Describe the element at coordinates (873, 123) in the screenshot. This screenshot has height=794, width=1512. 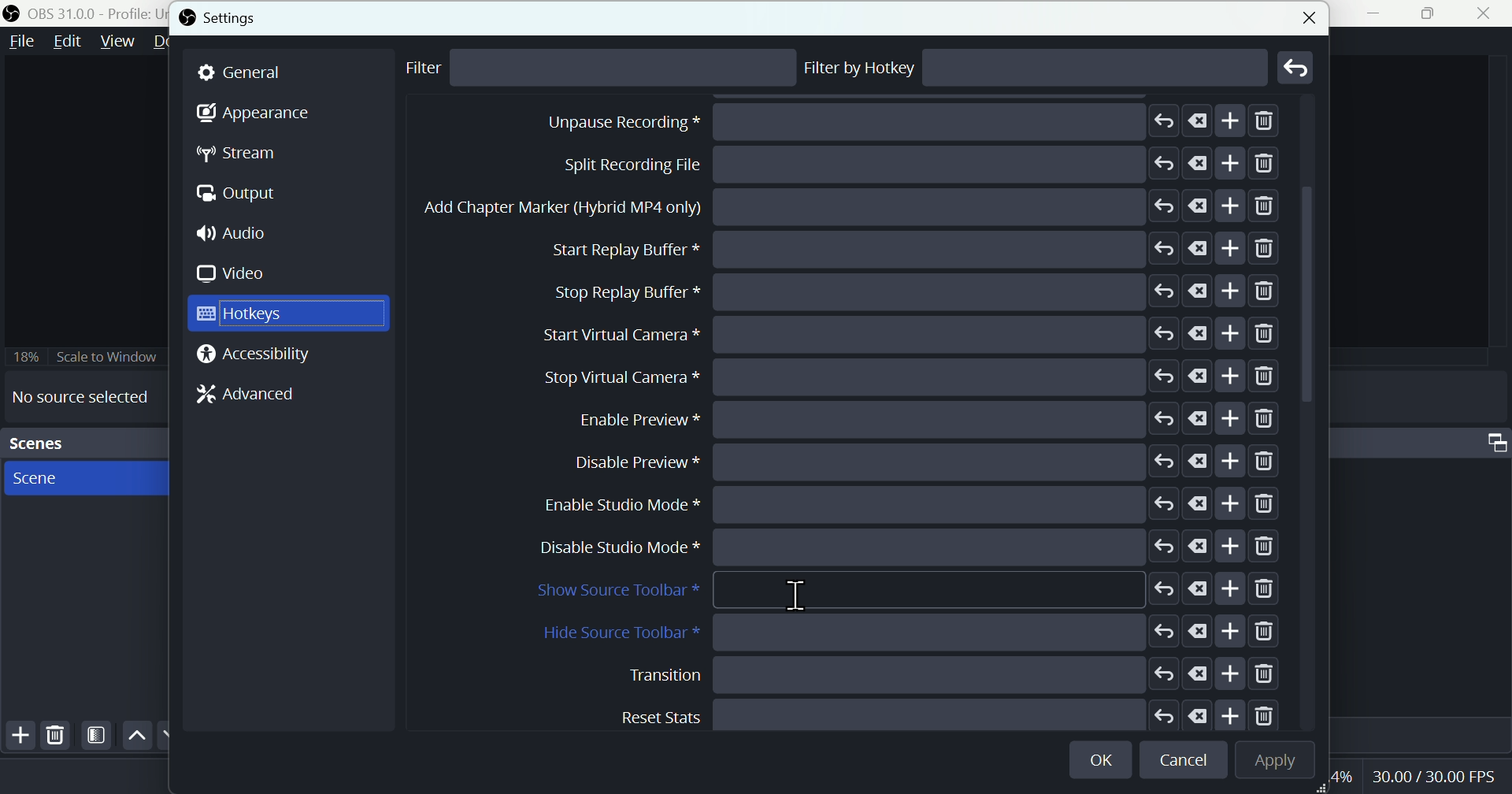
I see `Stop streaming` at that location.